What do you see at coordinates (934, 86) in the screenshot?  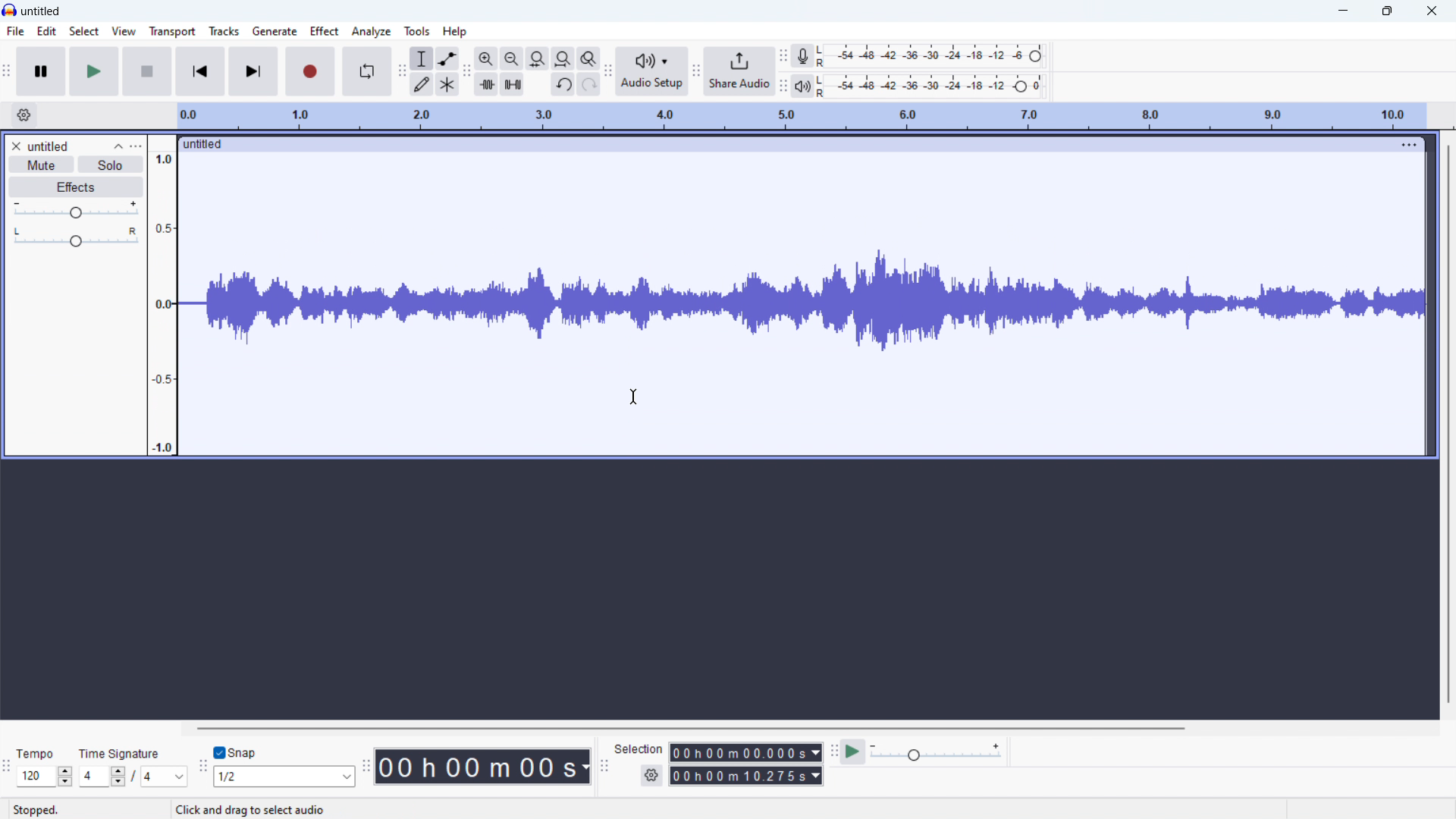 I see `playback level` at bounding box center [934, 86].